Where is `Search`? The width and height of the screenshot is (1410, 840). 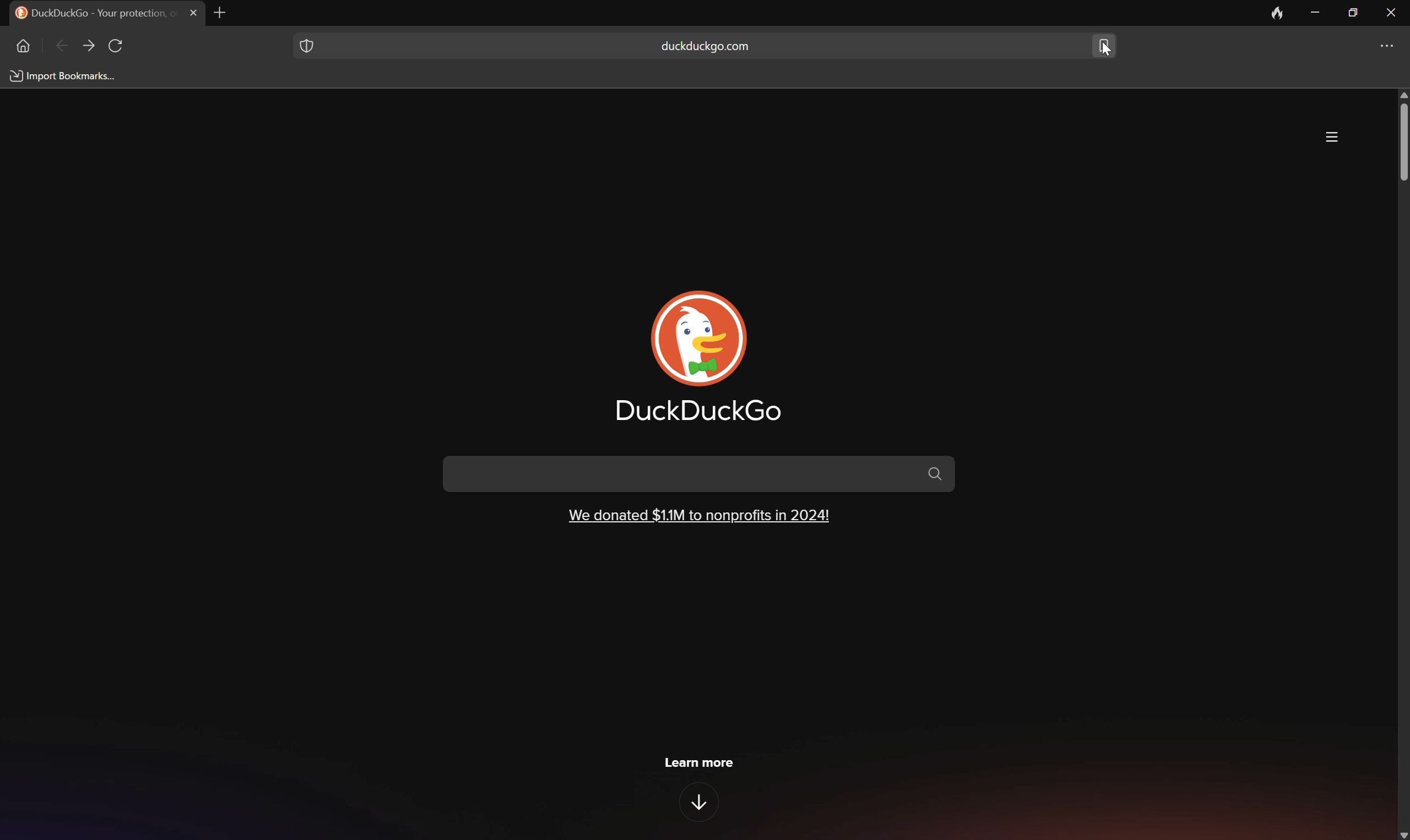 Search is located at coordinates (700, 473).